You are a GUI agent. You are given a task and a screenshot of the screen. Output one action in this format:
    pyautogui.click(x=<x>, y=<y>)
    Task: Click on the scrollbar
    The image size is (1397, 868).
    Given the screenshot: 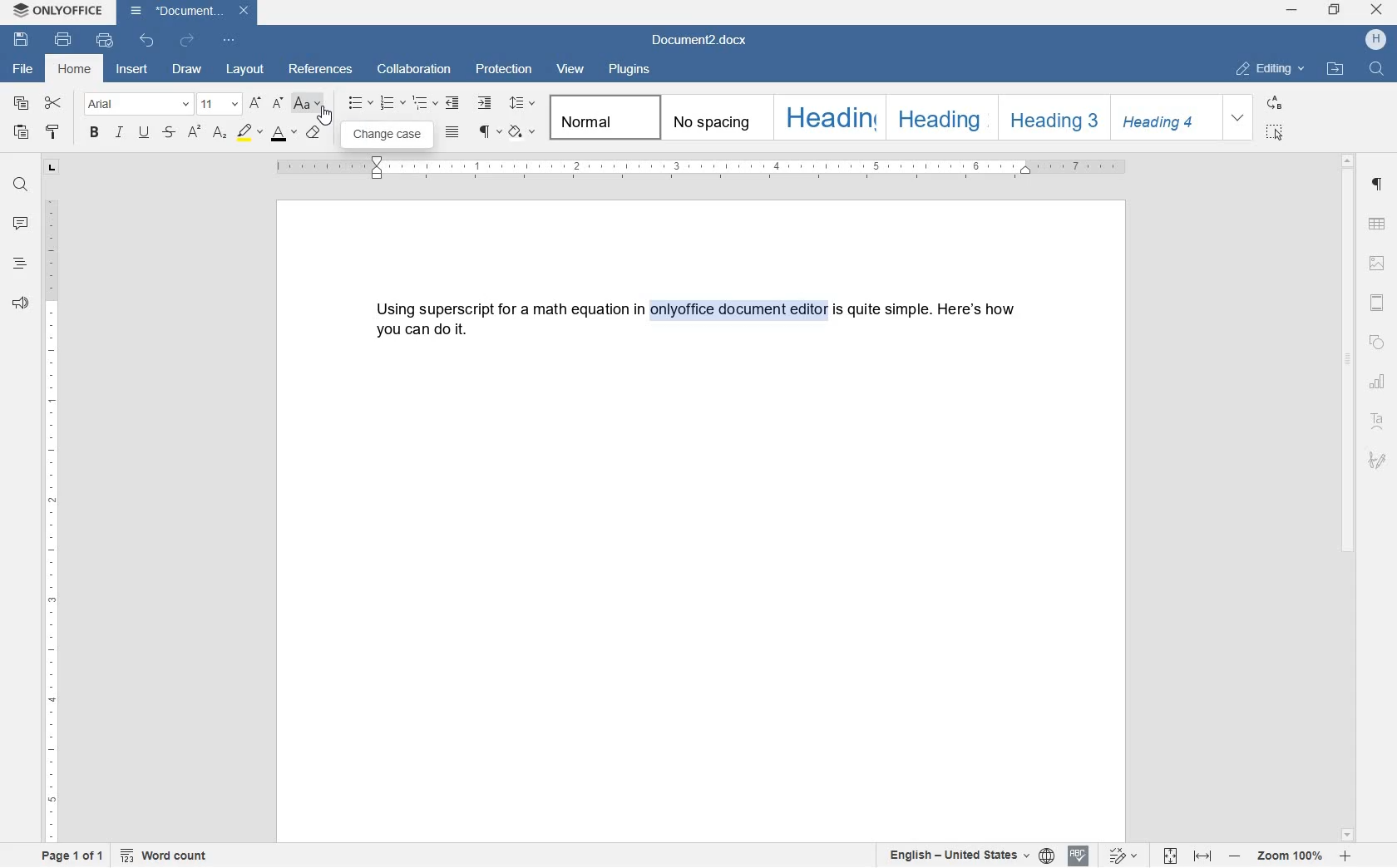 What is the action you would take?
    pyautogui.click(x=1350, y=497)
    